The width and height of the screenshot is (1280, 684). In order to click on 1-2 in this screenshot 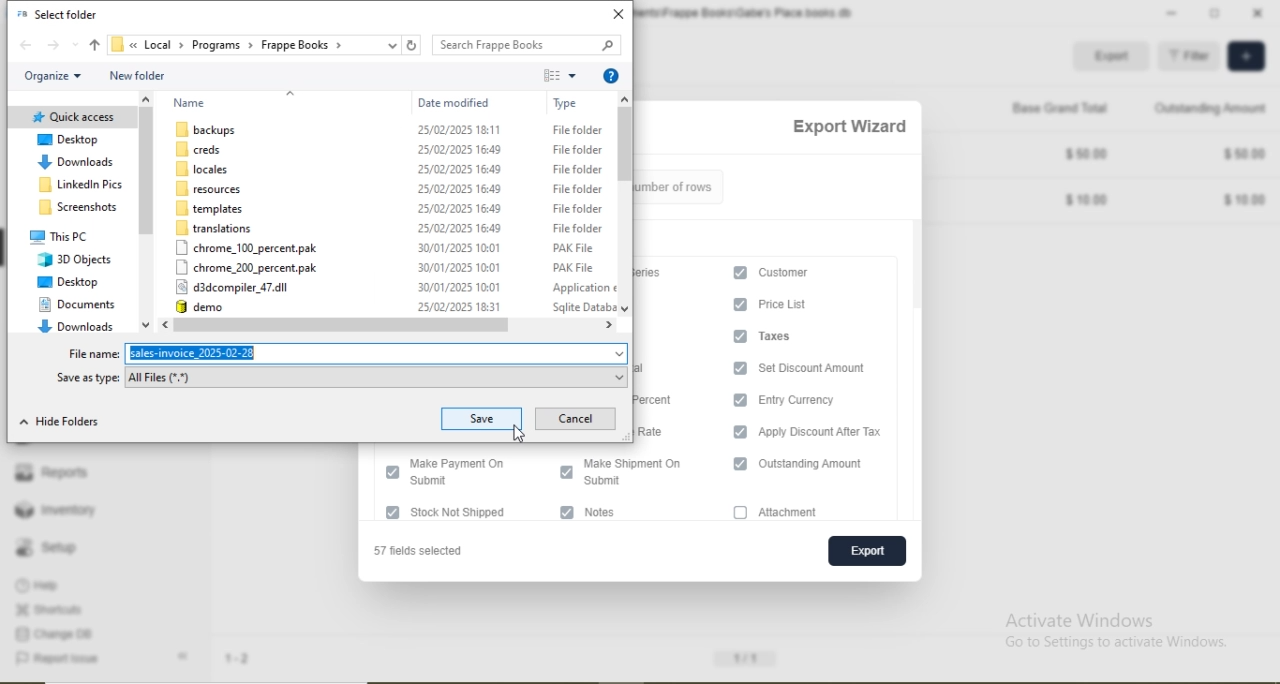, I will do `click(245, 660)`.